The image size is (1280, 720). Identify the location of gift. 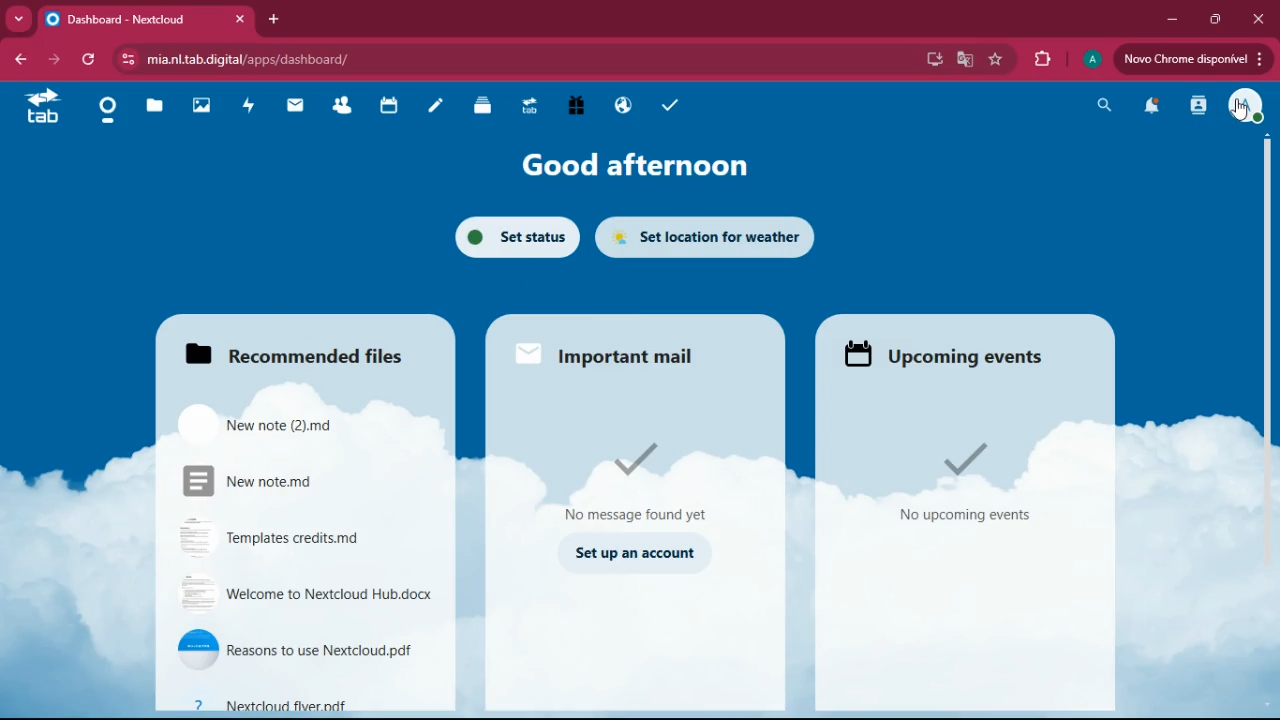
(577, 106).